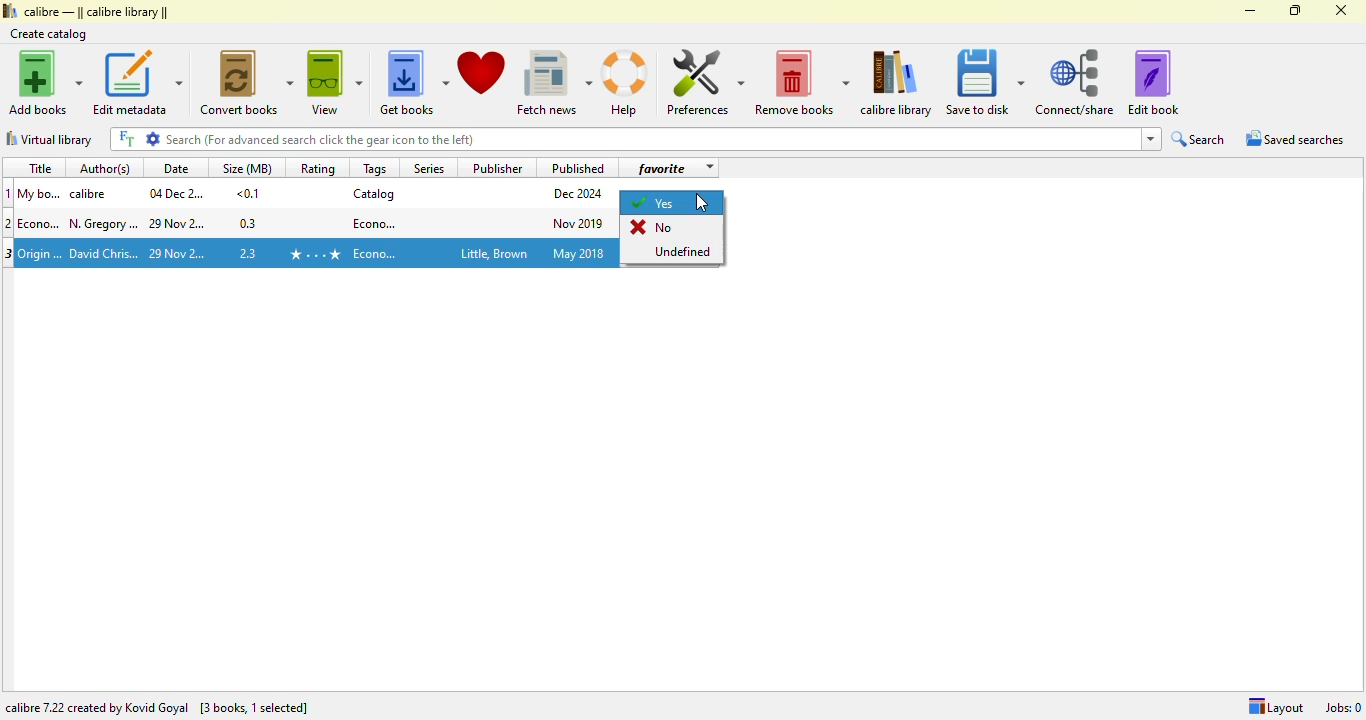 The image size is (1366, 720). I want to click on date, so click(178, 225).